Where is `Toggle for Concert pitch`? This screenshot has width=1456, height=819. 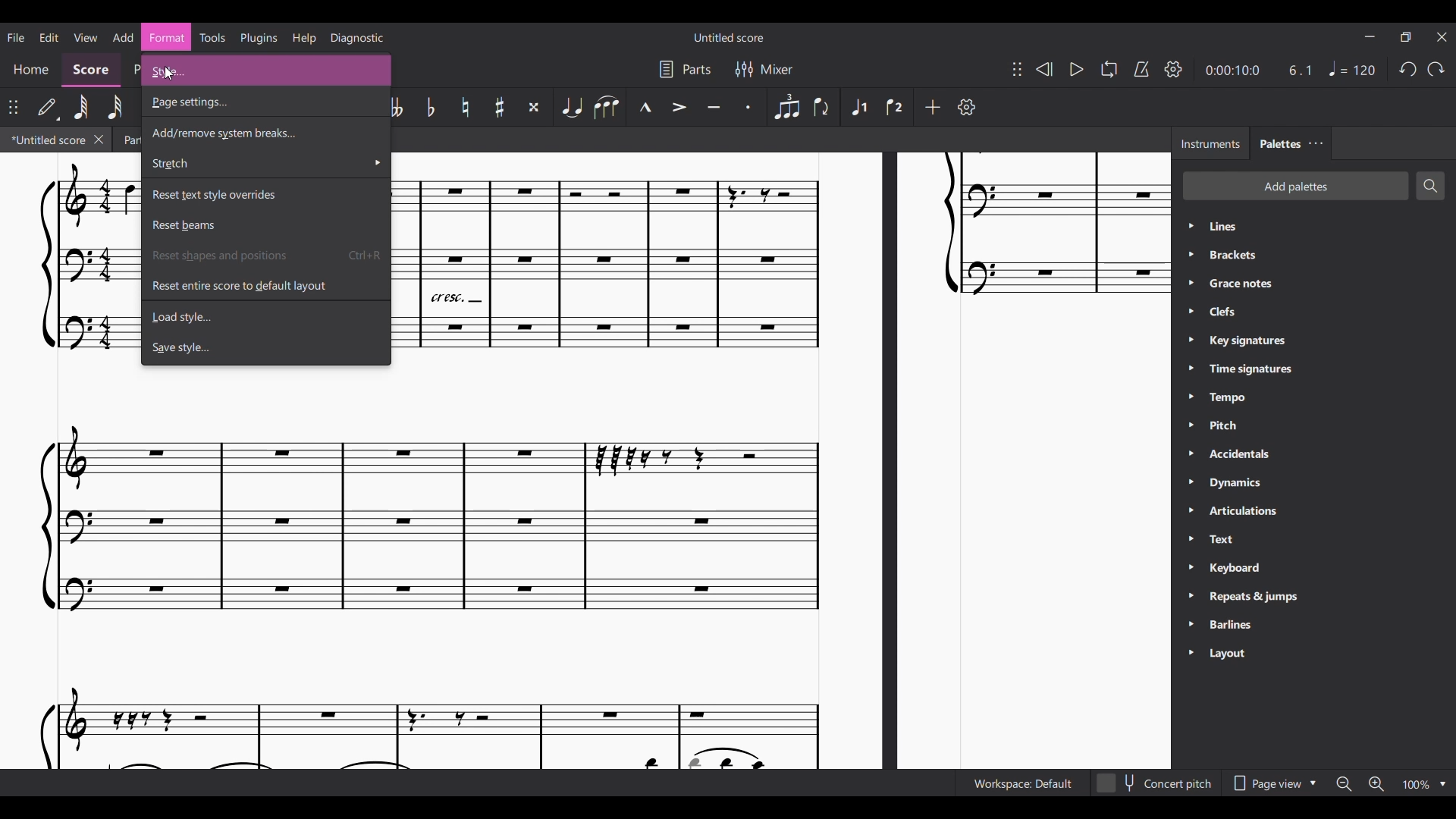
Toggle for Concert pitch is located at coordinates (1155, 783).